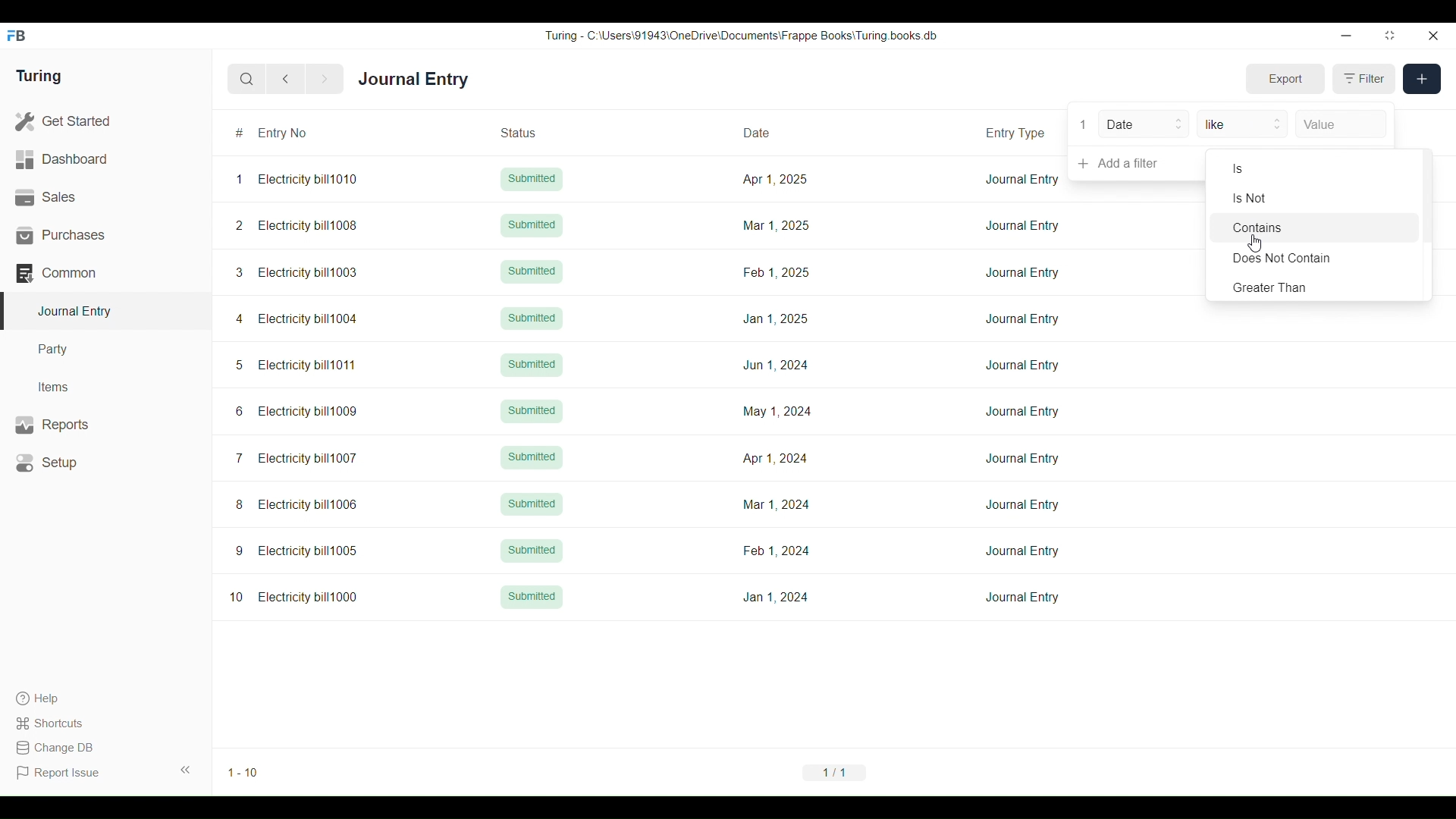 The height and width of the screenshot is (819, 1456). Describe the element at coordinates (1023, 458) in the screenshot. I see `Journal Entry` at that location.